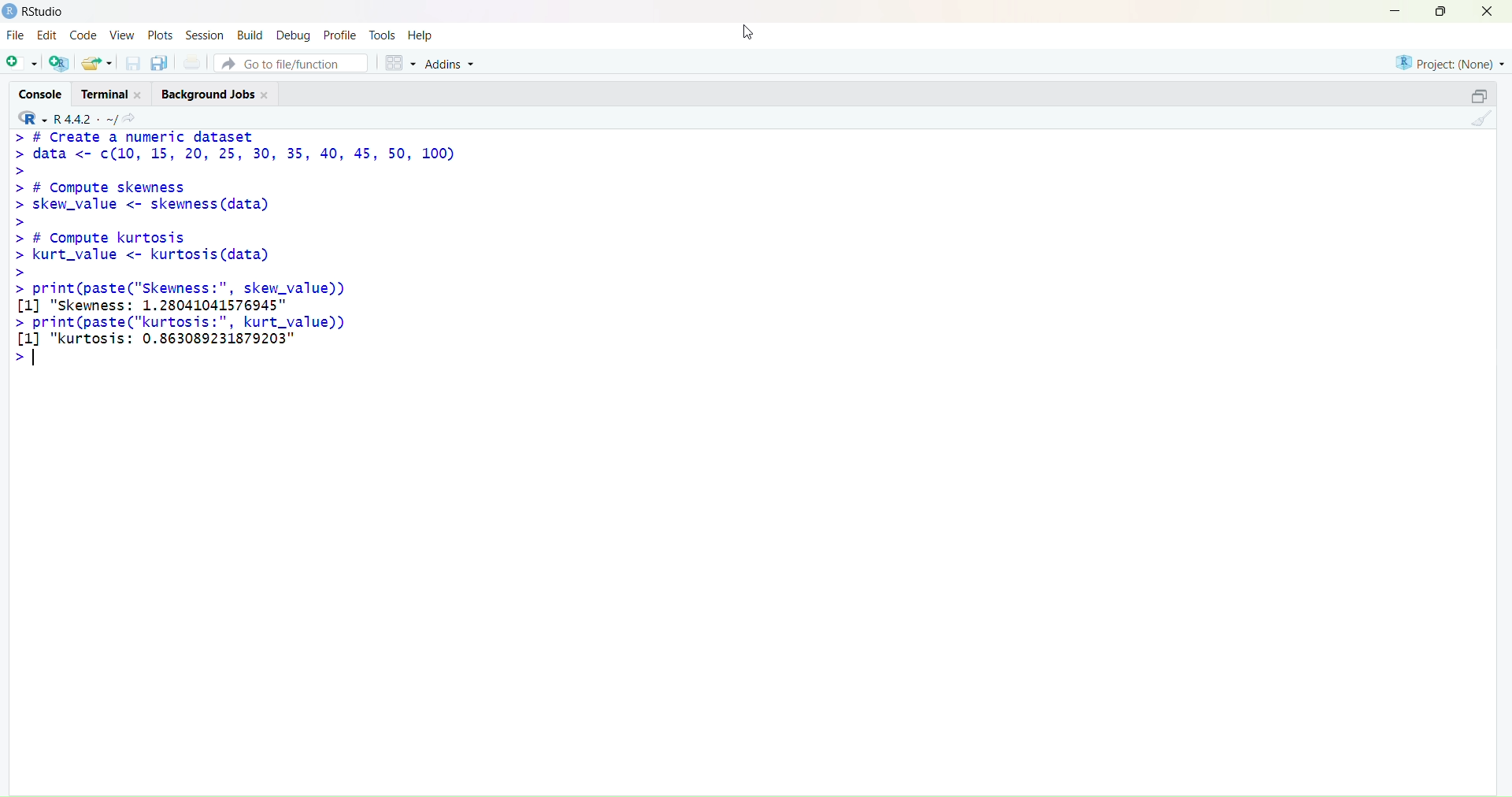  What do you see at coordinates (218, 94) in the screenshot?
I see `Background Jobs` at bounding box center [218, 94].